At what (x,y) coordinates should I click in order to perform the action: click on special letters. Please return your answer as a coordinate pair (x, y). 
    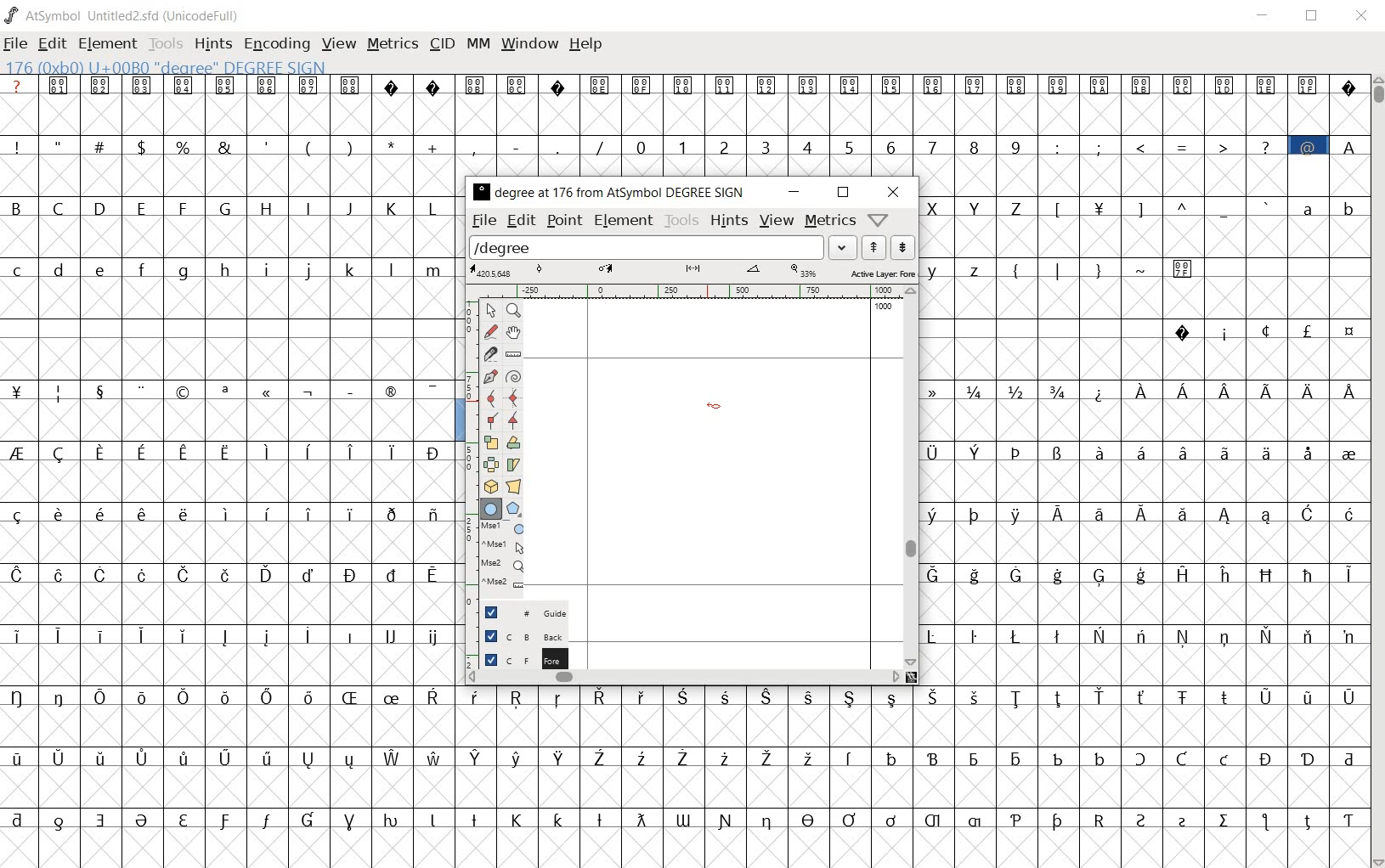
    Looking at the image, I should click on (1140, 573).